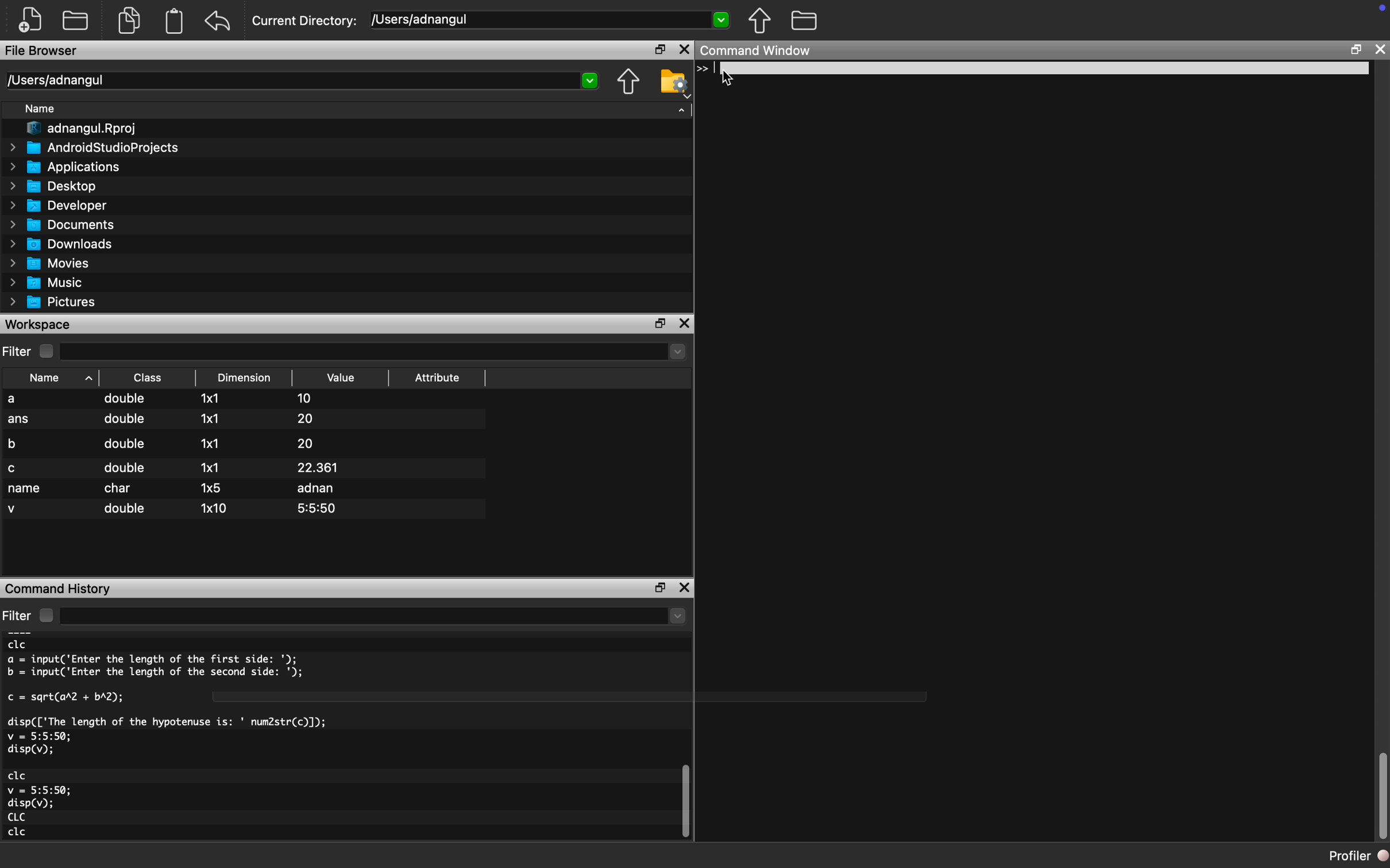 The height and width of the screenshot is (868, 1390). Describe the element at coordinates (56, 304) in the screenshot. I see `> [3 Pictures` at that location.